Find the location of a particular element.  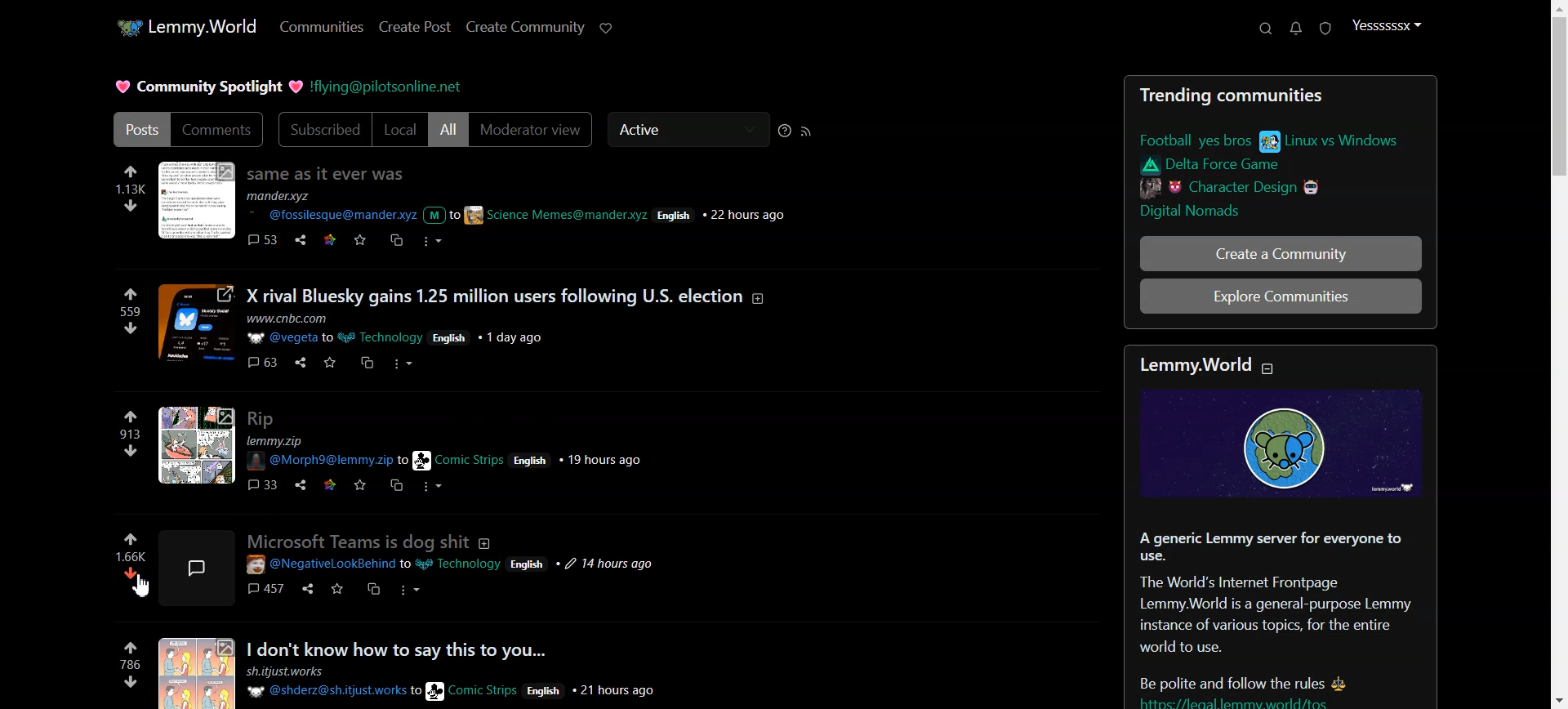

Moderator view is located at coordinates (532, 130).